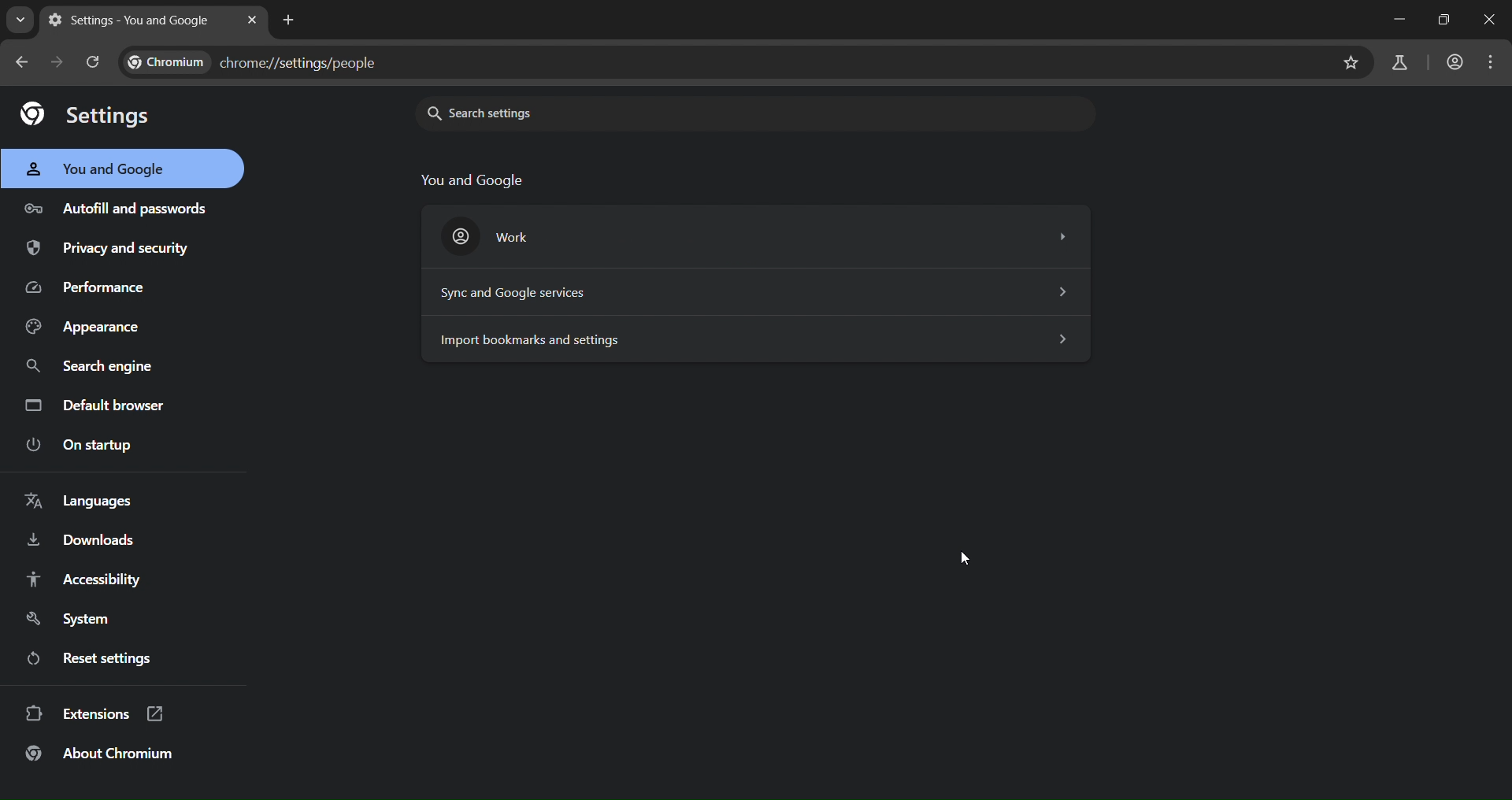  What do you see at coordinates (474, 179) in the screenshot?
I see `you and google` at bounding box center [474, 179].